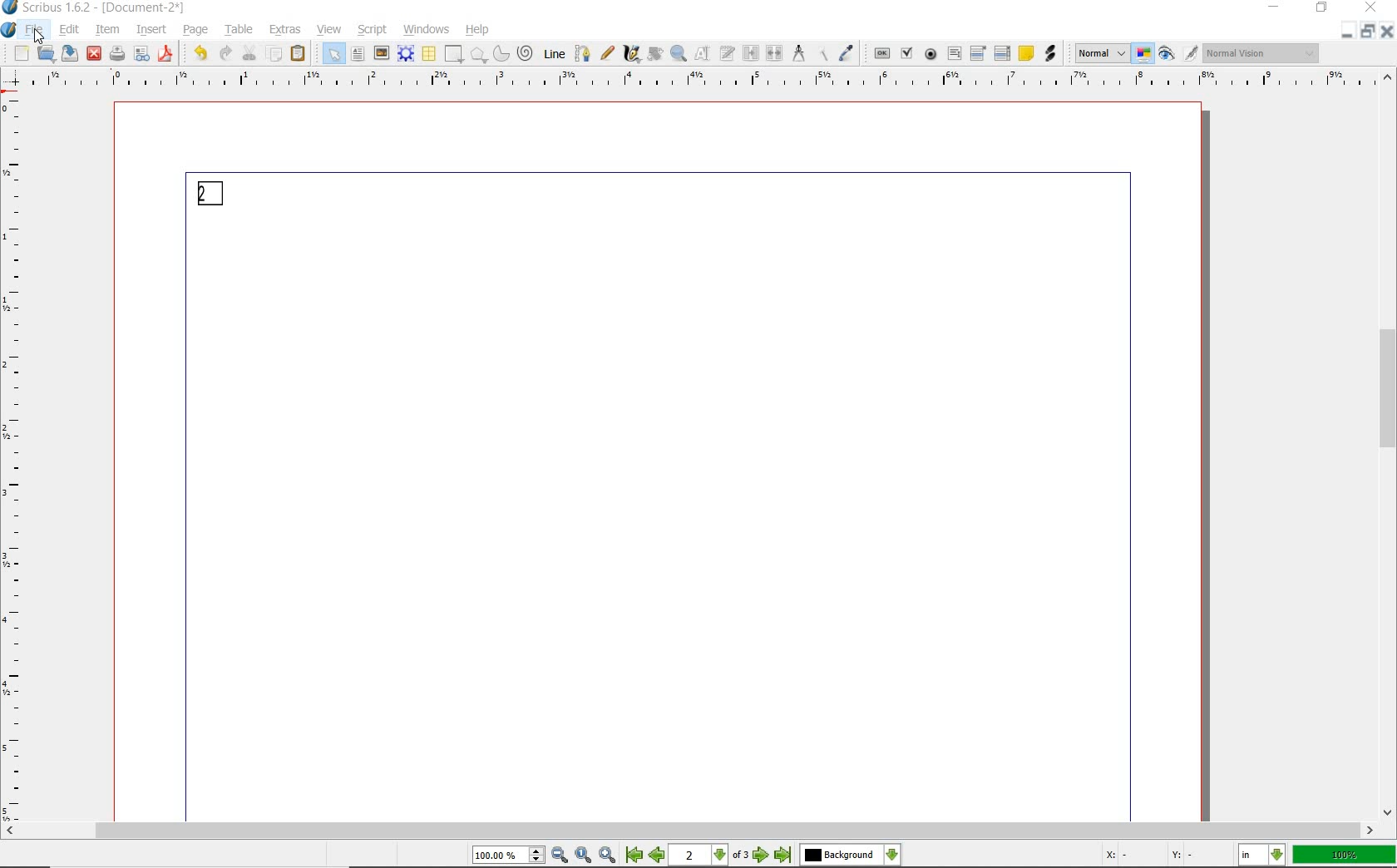  What do you see at coordinates (1101, 53) in the screenshot?
I see `select image preview mode` at bounding box center [1101, 53].